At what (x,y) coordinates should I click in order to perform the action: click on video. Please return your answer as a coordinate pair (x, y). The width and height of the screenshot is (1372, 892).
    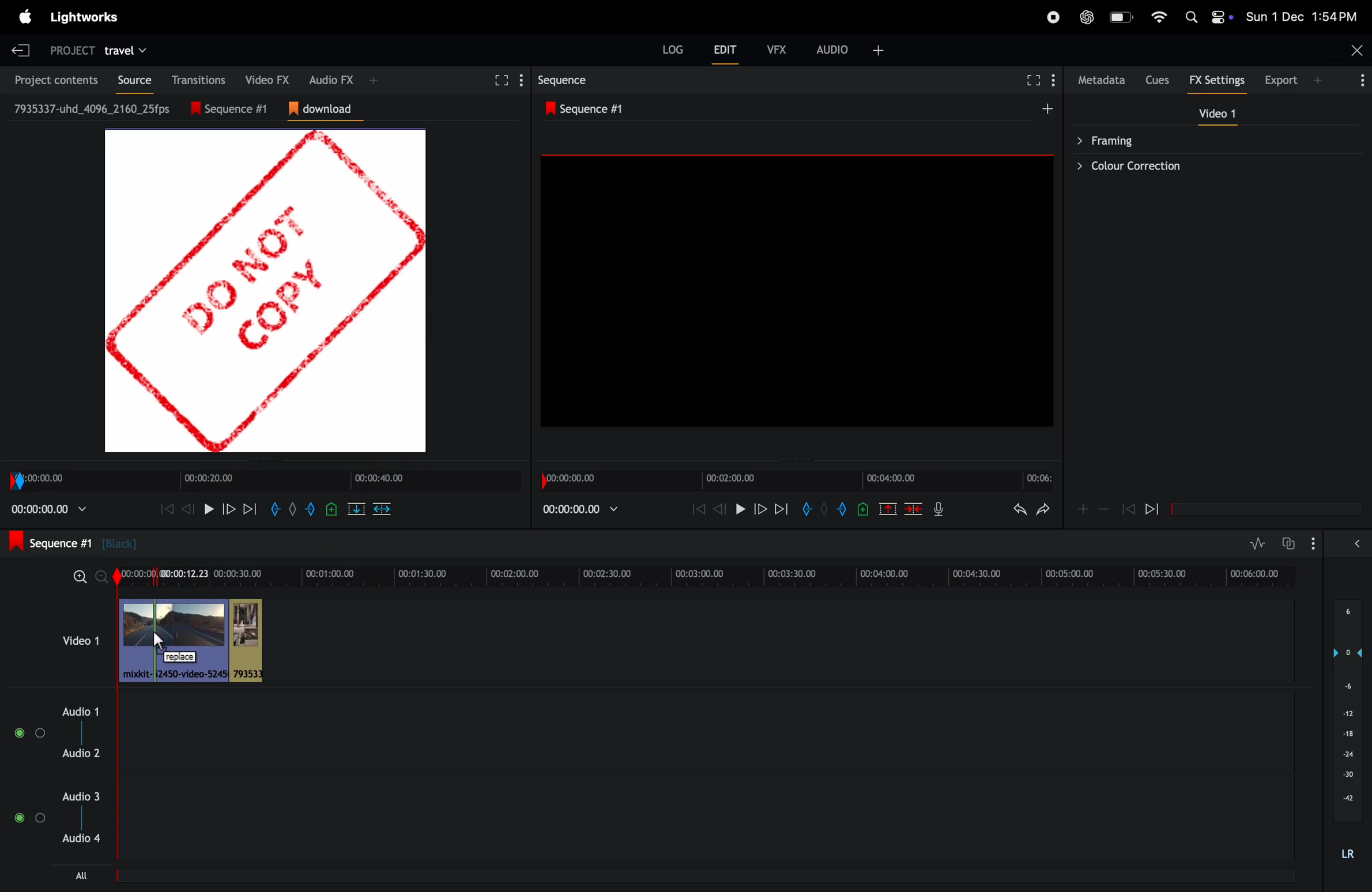
    Looking at the image, I should click on (1217, 113).